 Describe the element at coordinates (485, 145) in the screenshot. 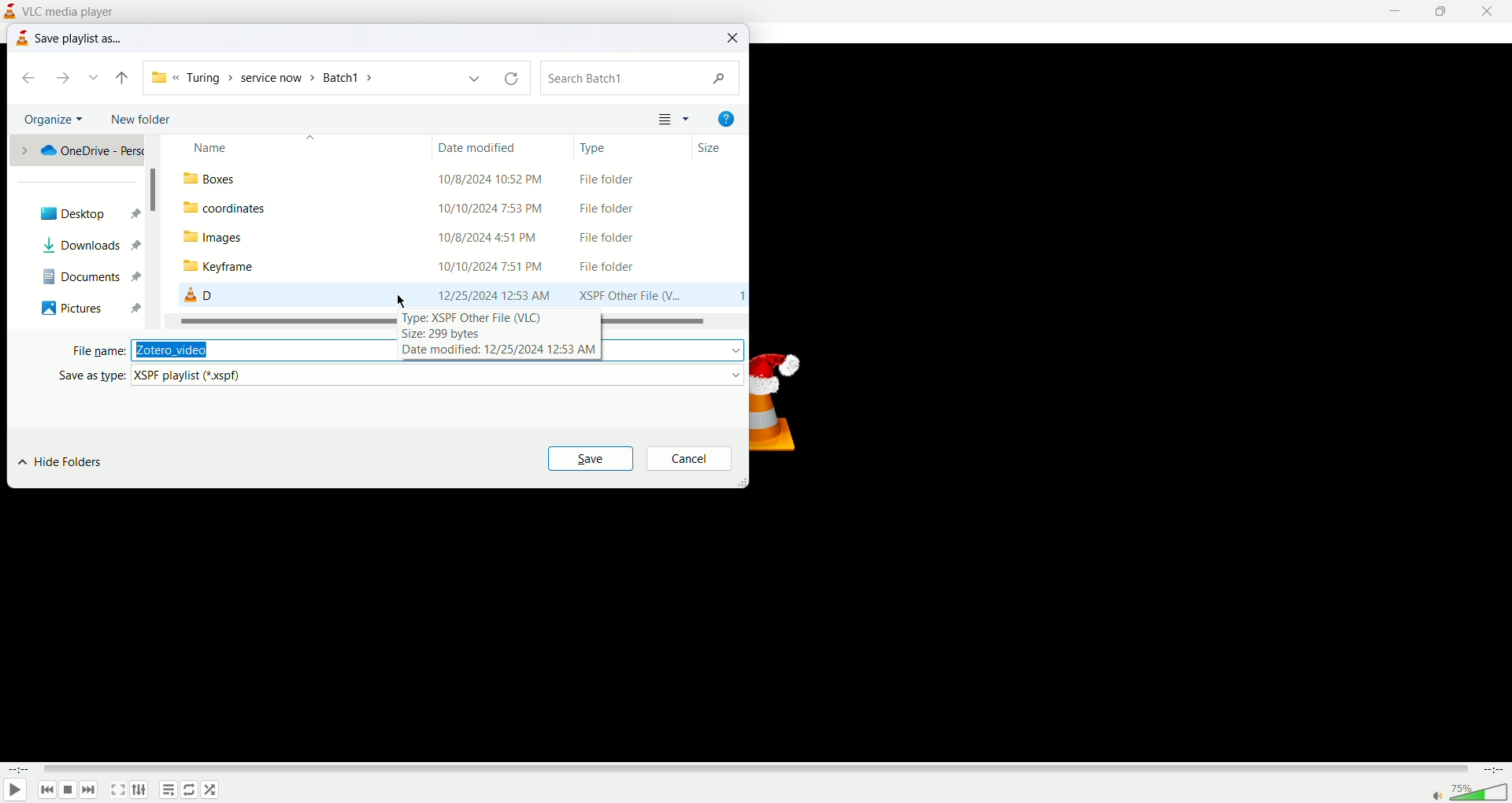

I see `Date Modified` at that location.